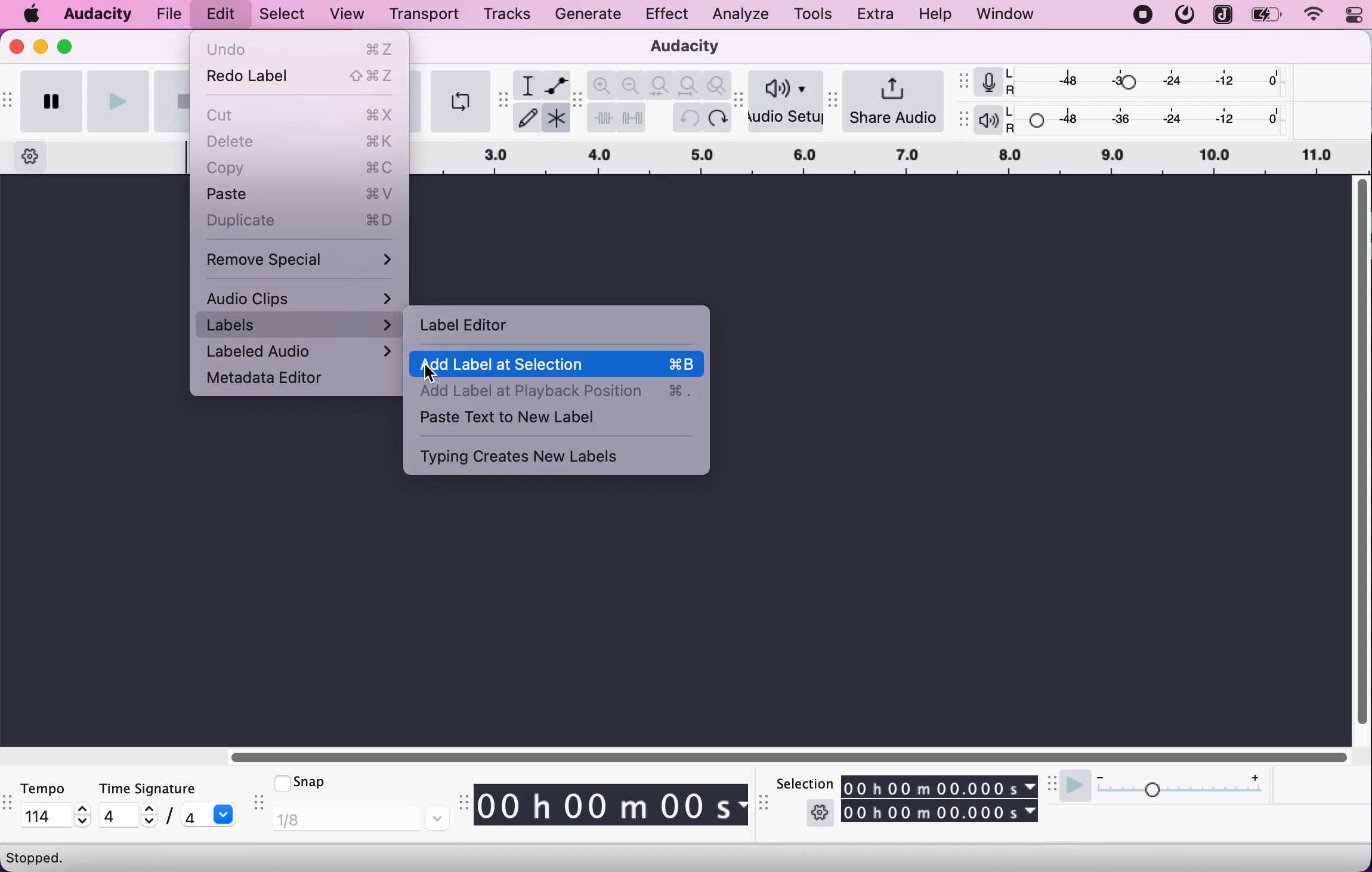  Describe the element at coordinates (169, 788) in the screenshot. I see `time signature` at that location.